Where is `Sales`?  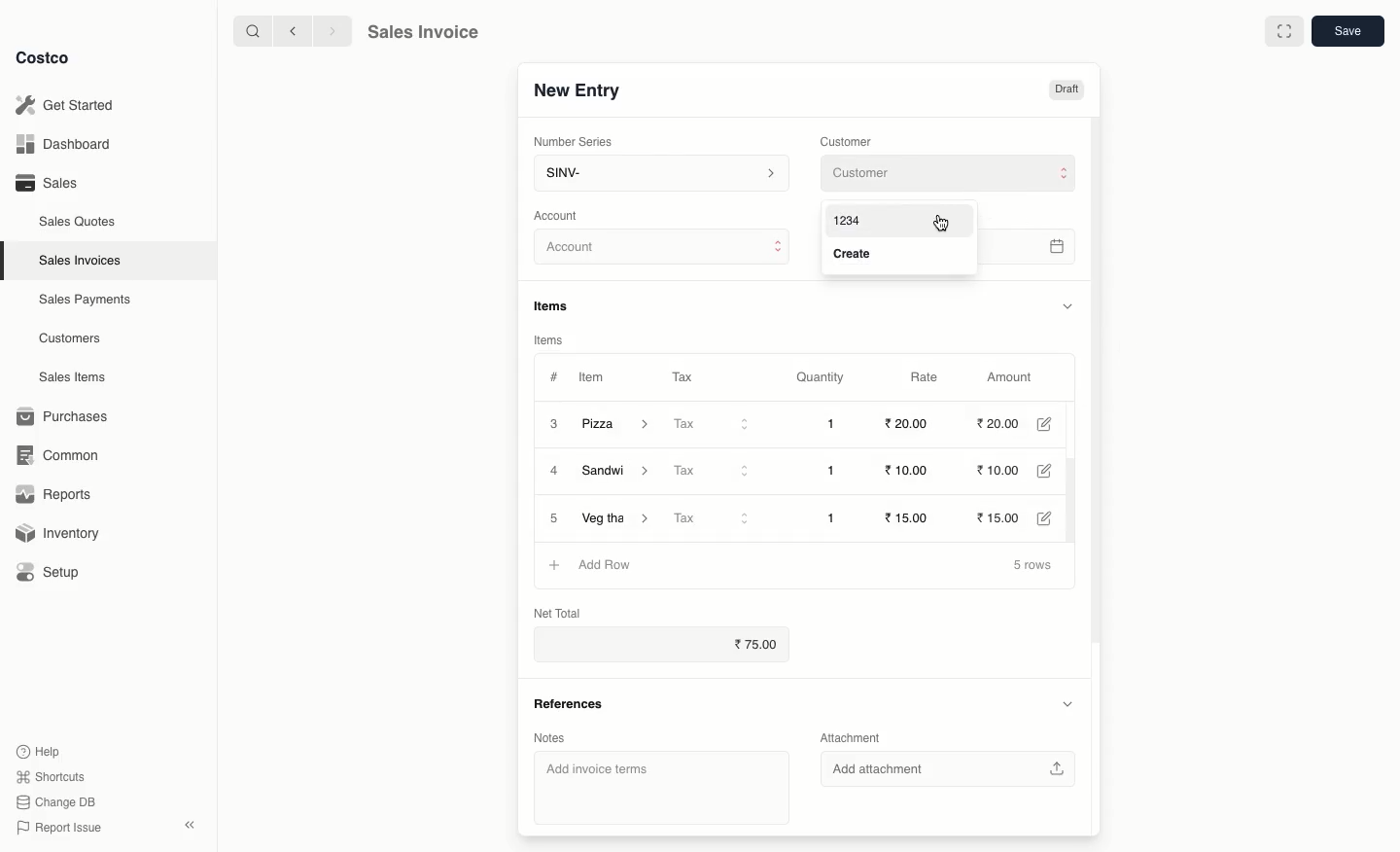
Sales is located at coordinates (46, 183).